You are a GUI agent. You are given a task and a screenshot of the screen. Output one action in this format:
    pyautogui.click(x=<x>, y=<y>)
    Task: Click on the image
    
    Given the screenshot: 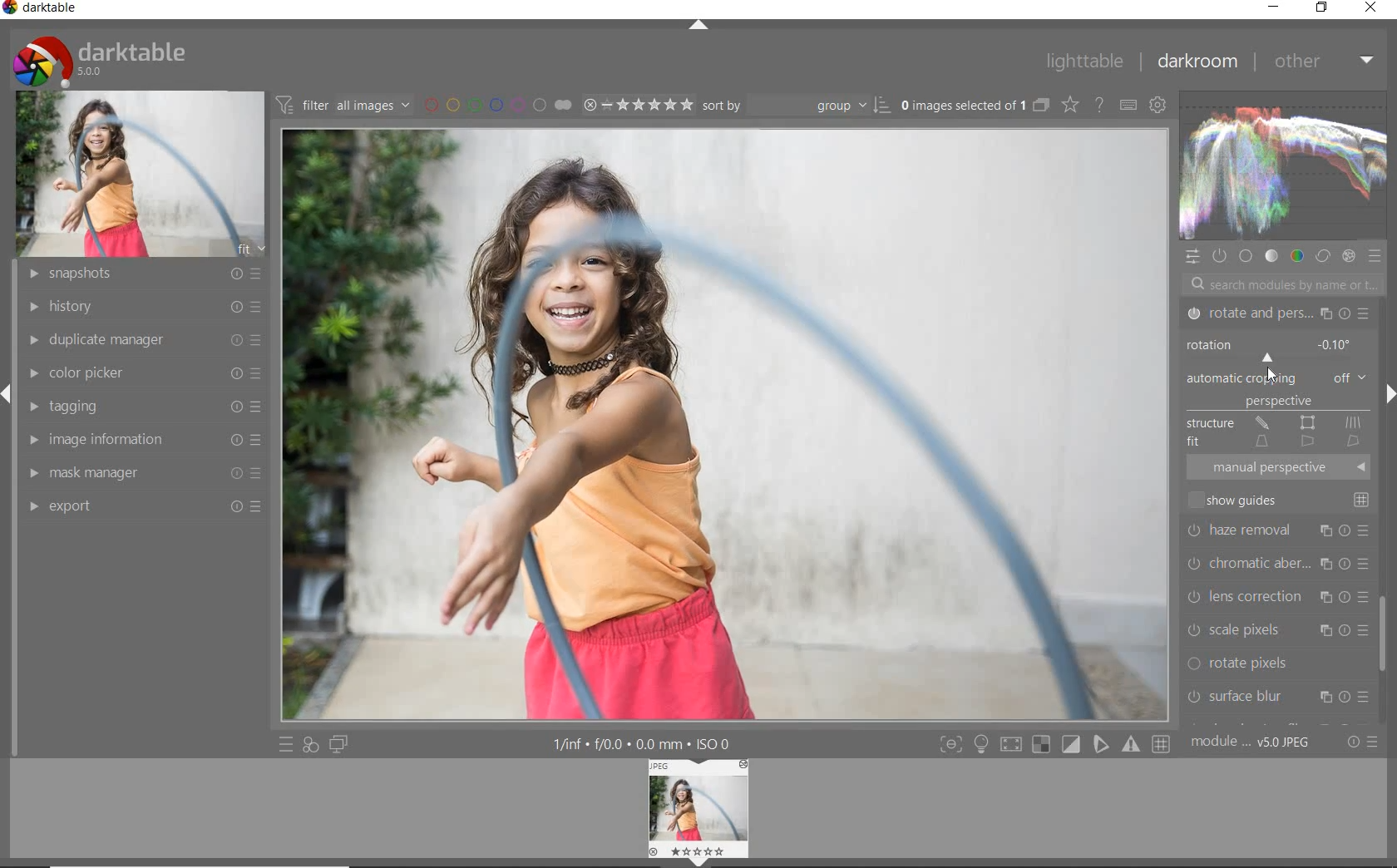 What is the action you would take?
    pyautogui.click(x=140, y=175)
    